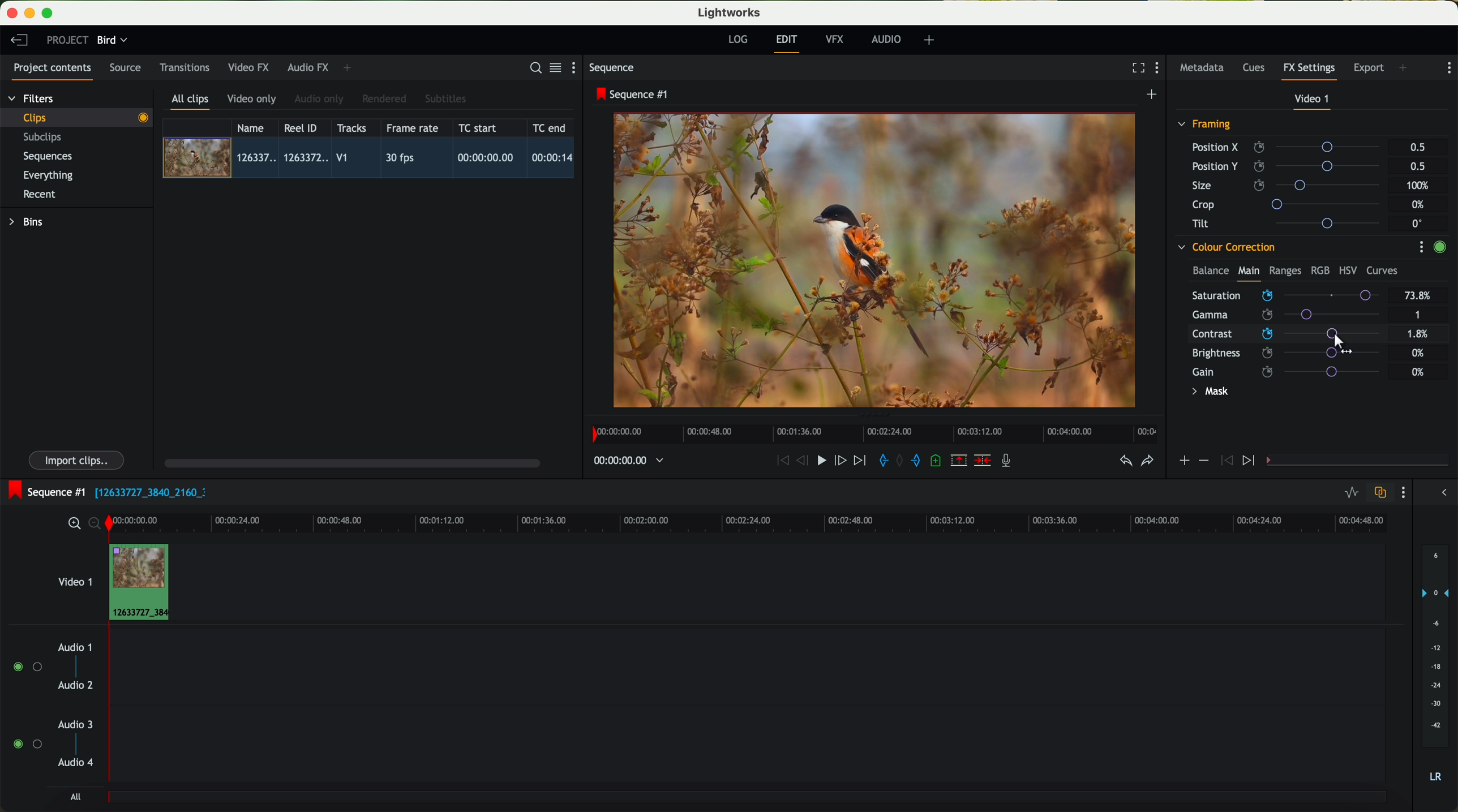  Describe the element at coordinates (44, 492) in the screenshot. I see `sequence #1` at that location.